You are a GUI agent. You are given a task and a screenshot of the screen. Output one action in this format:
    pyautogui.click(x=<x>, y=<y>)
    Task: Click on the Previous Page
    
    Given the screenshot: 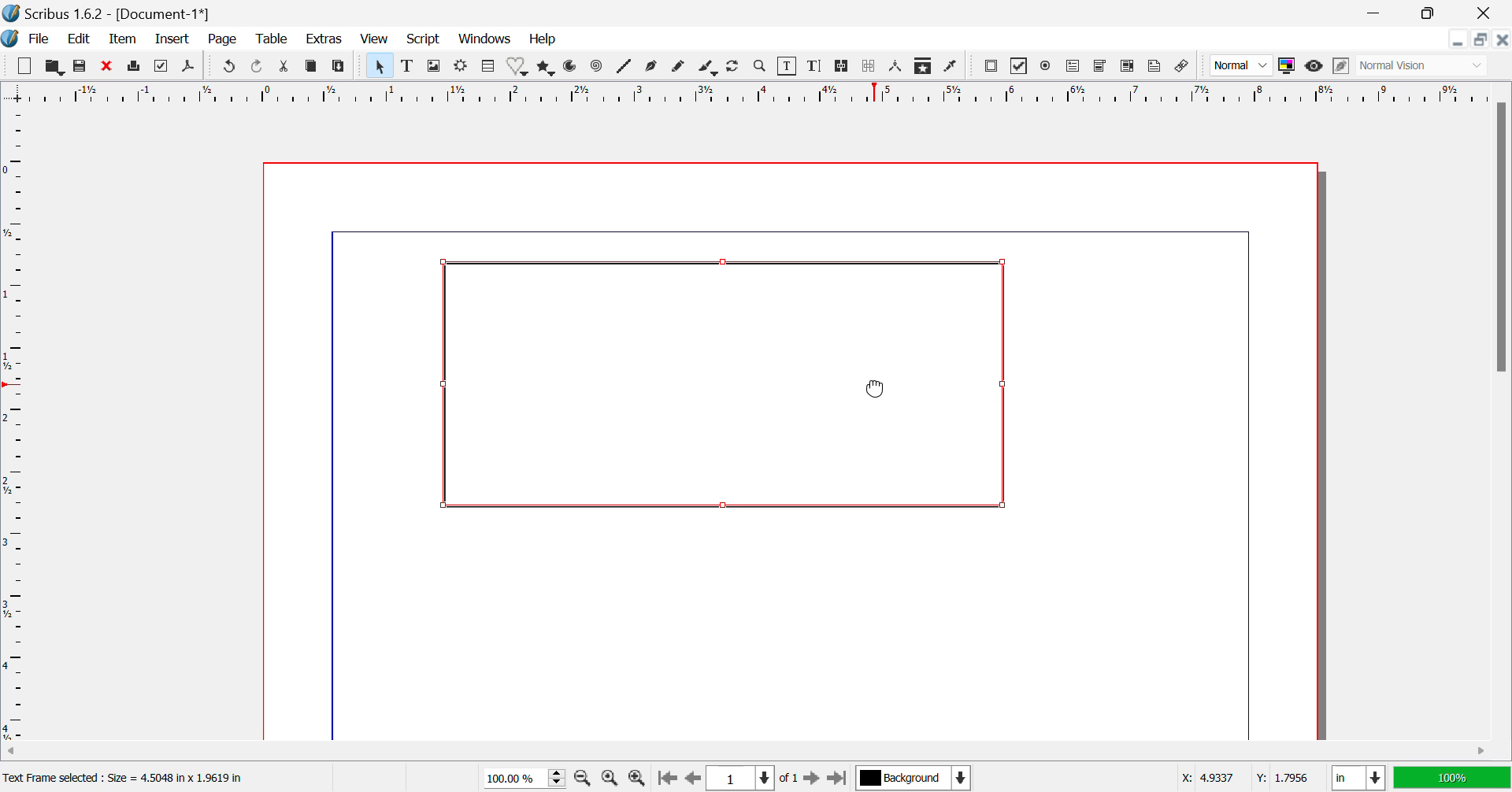 What is the action you would take?
    pyautogui.click(x=691, y=779)
    